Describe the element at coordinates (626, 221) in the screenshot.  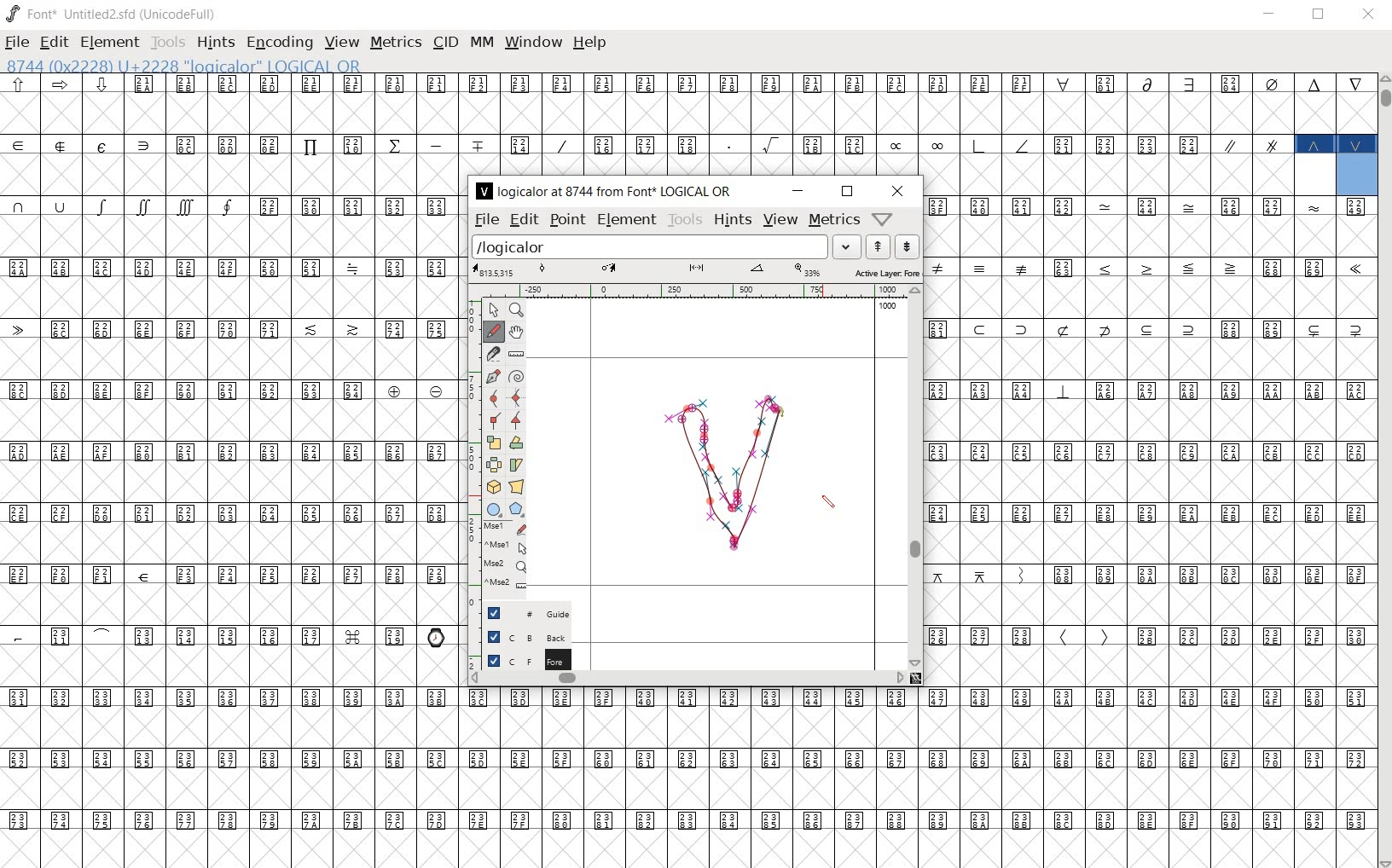
I see `element` at that location.